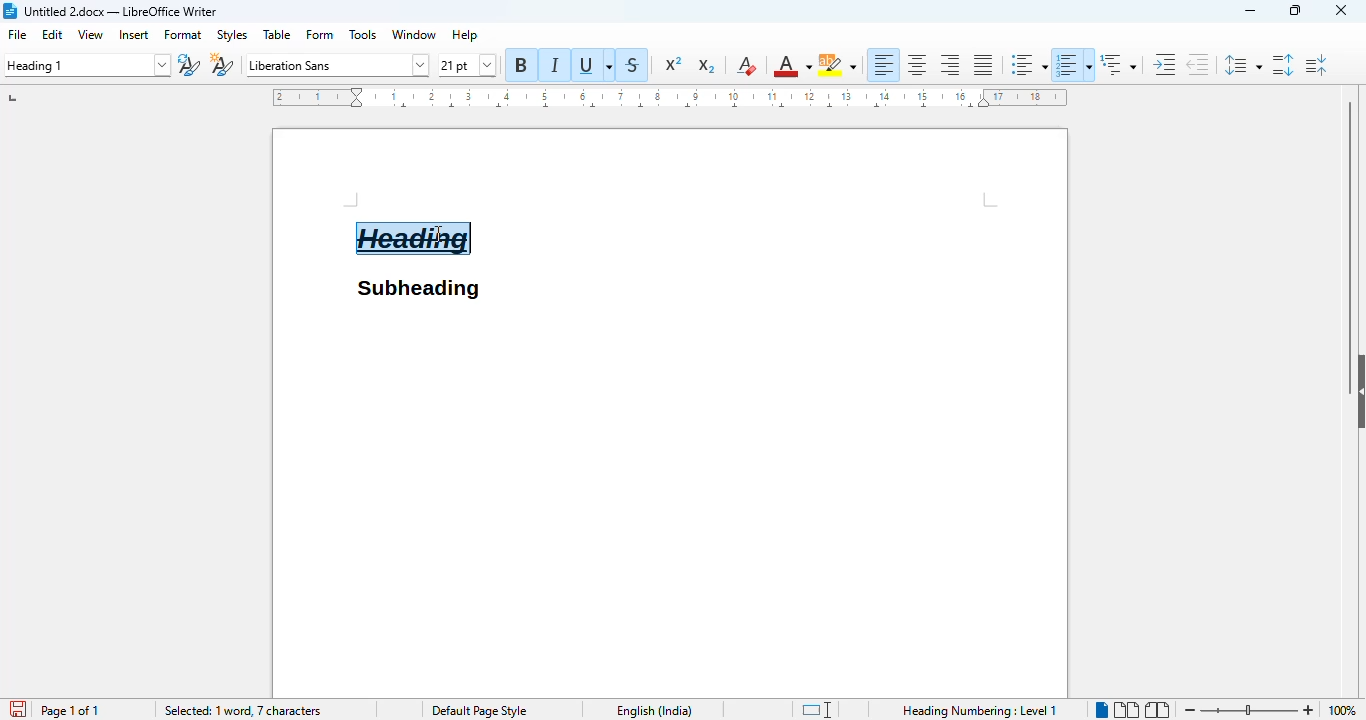 The width and height of the screenshot is (1366, 720). I want to click on superscript, so click(674, 64).